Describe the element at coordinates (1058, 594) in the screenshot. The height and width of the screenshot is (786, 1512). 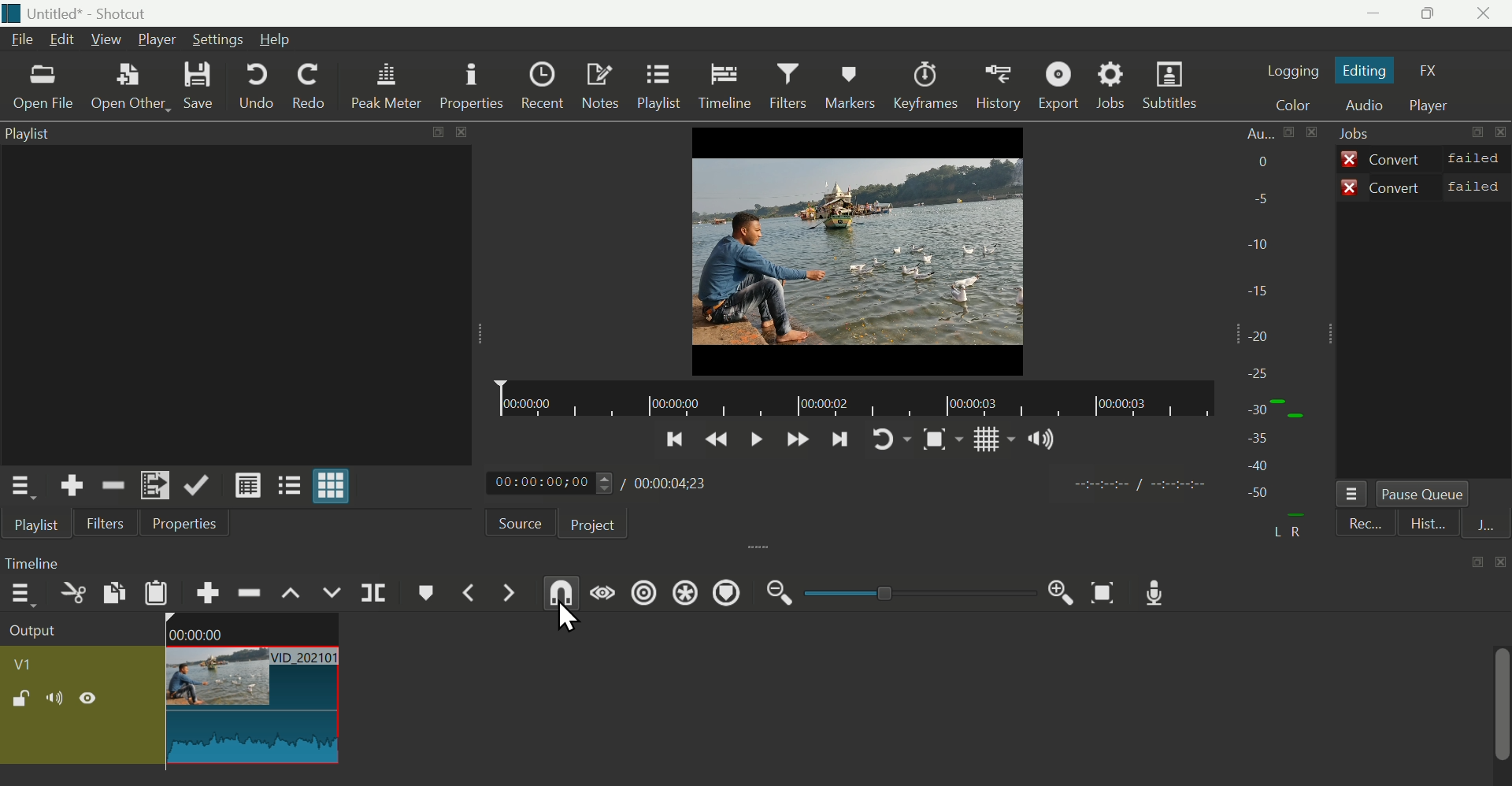
I see `` at that location.